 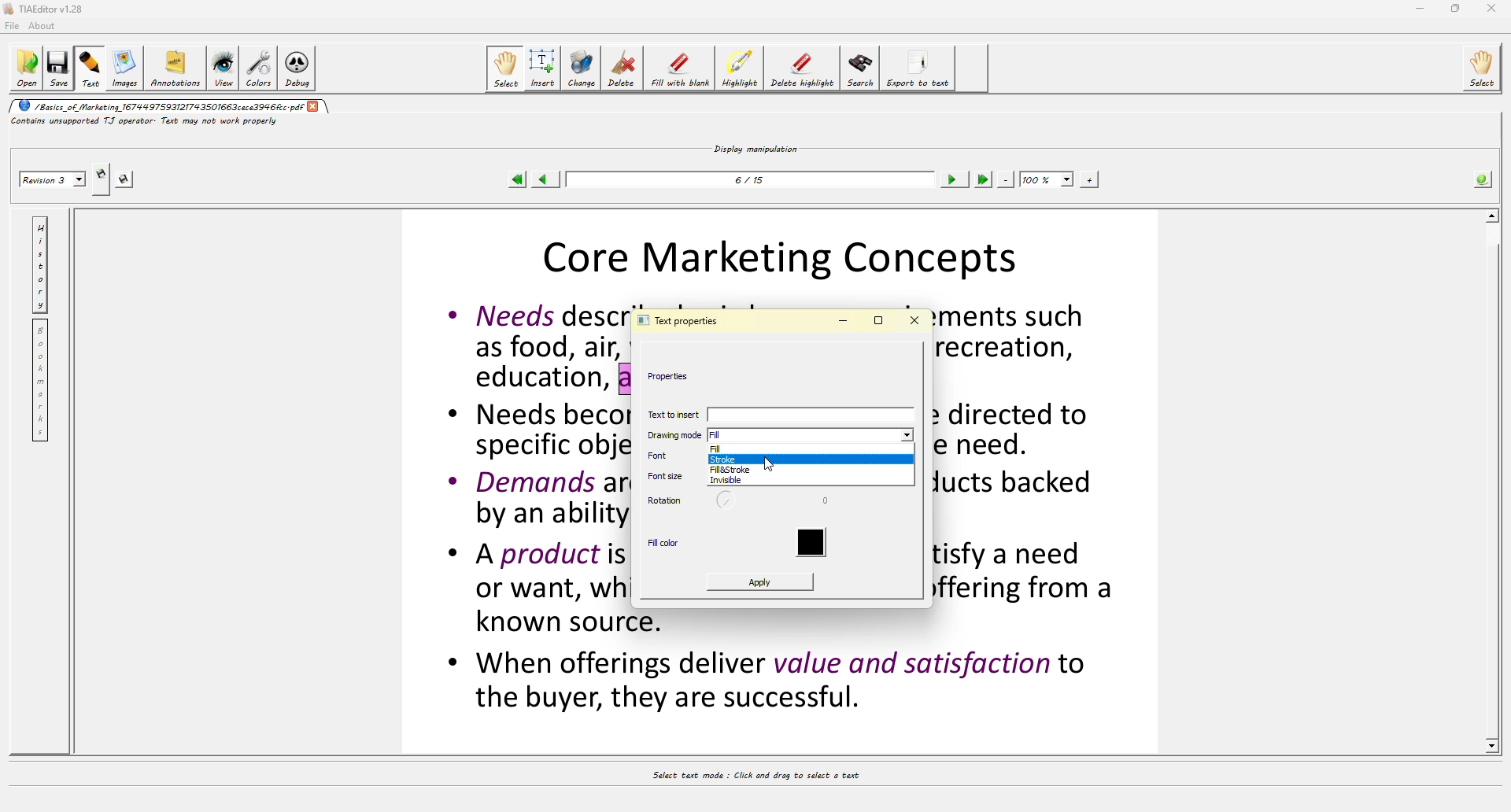 What do you see at coordinates (770, 682) in the screenshot?
I see `* When offerings aeliver value and satisfaction to
the buyer, they are successful.` at bounding box center [770, 682].